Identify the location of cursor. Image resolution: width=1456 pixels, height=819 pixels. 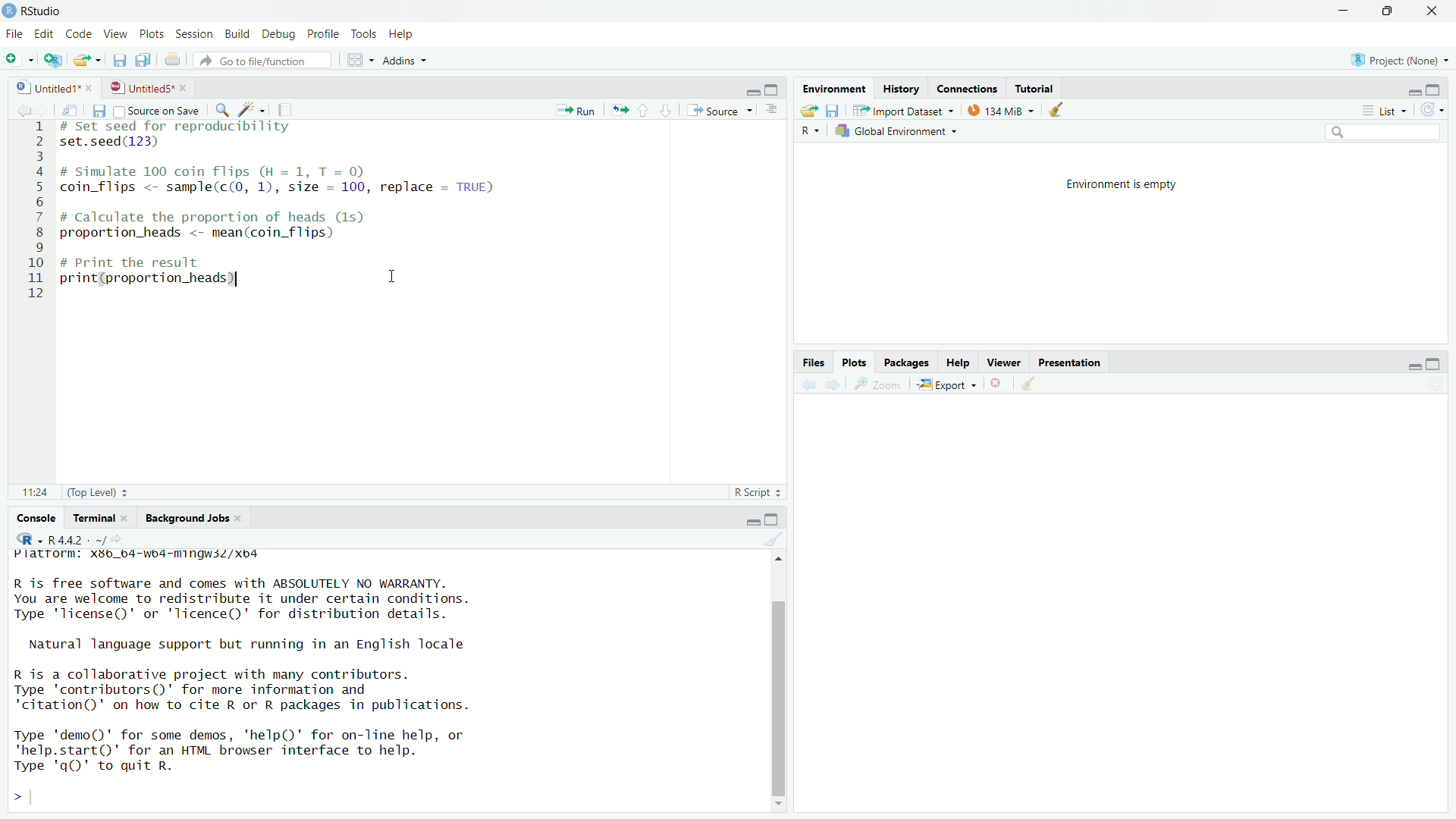
(393, 276).